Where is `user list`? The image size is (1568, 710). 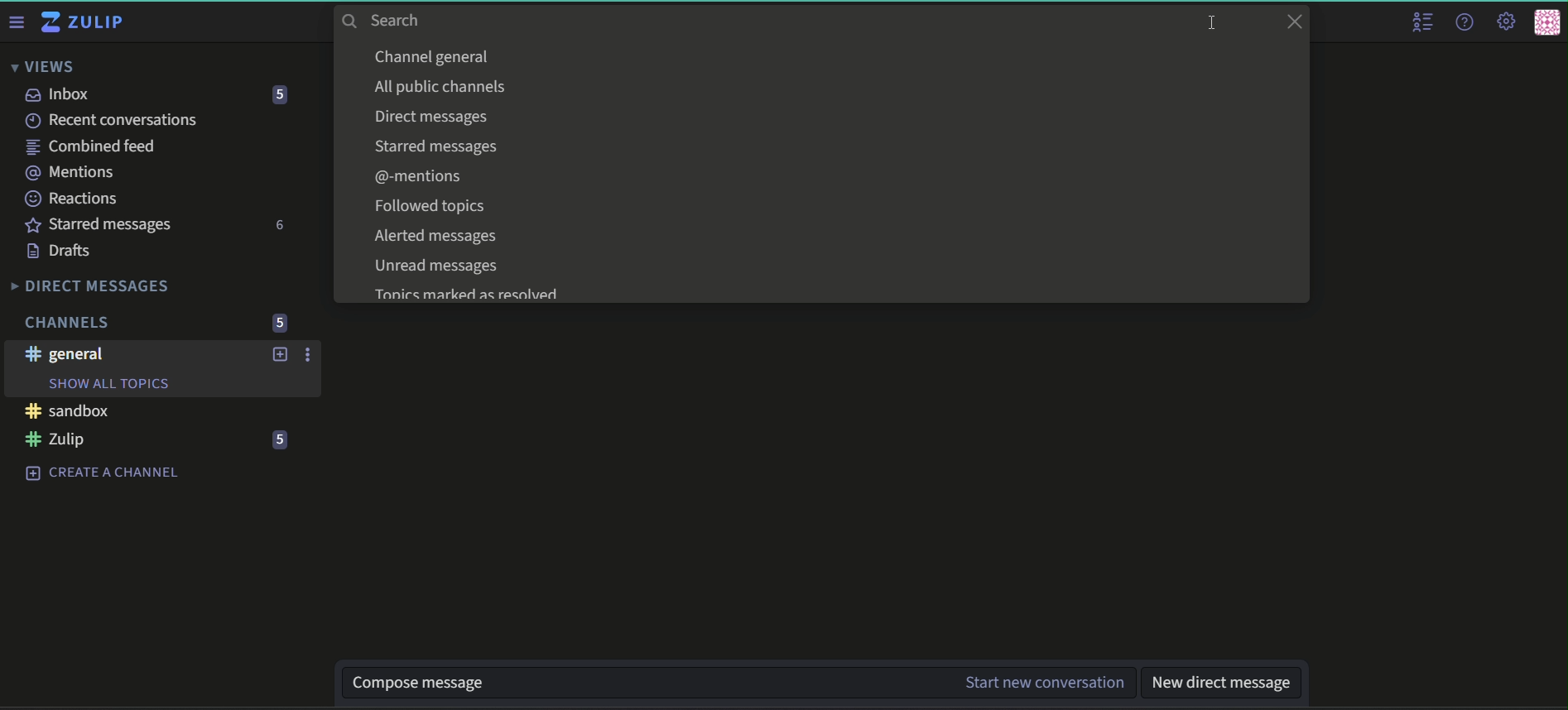 user list is located at coordinates (1421, 22).